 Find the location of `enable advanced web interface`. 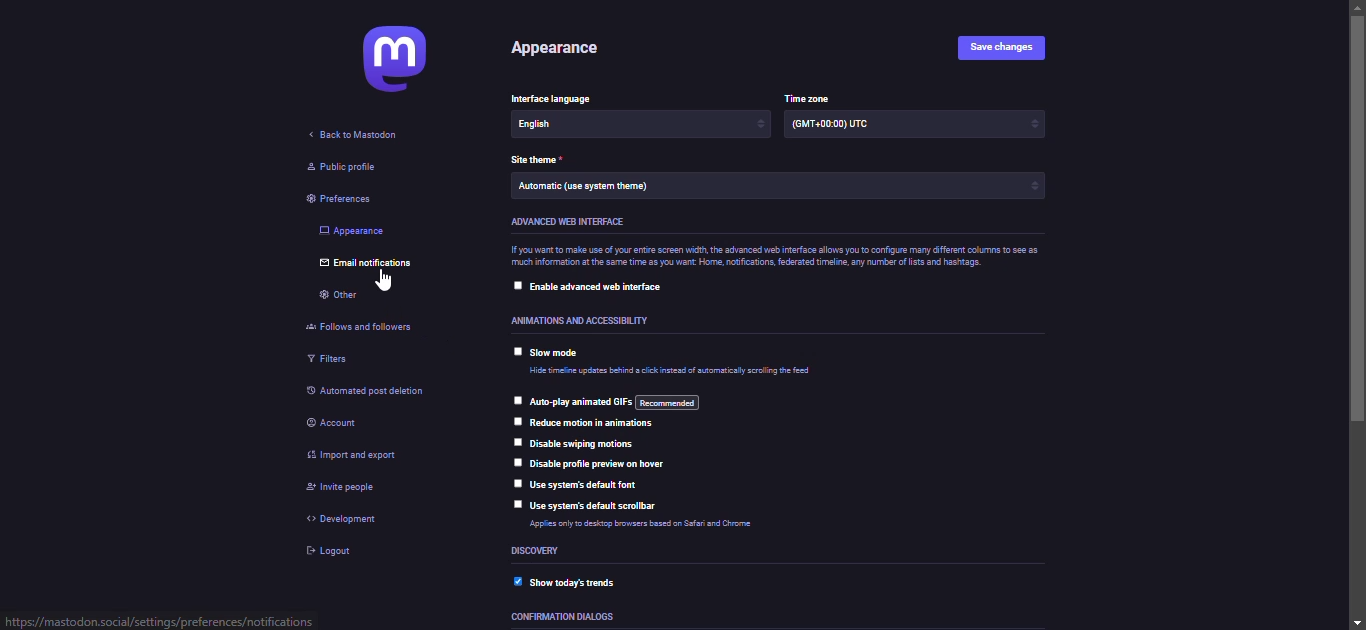

enable advanced web interface is located at coordinates (605, 288).